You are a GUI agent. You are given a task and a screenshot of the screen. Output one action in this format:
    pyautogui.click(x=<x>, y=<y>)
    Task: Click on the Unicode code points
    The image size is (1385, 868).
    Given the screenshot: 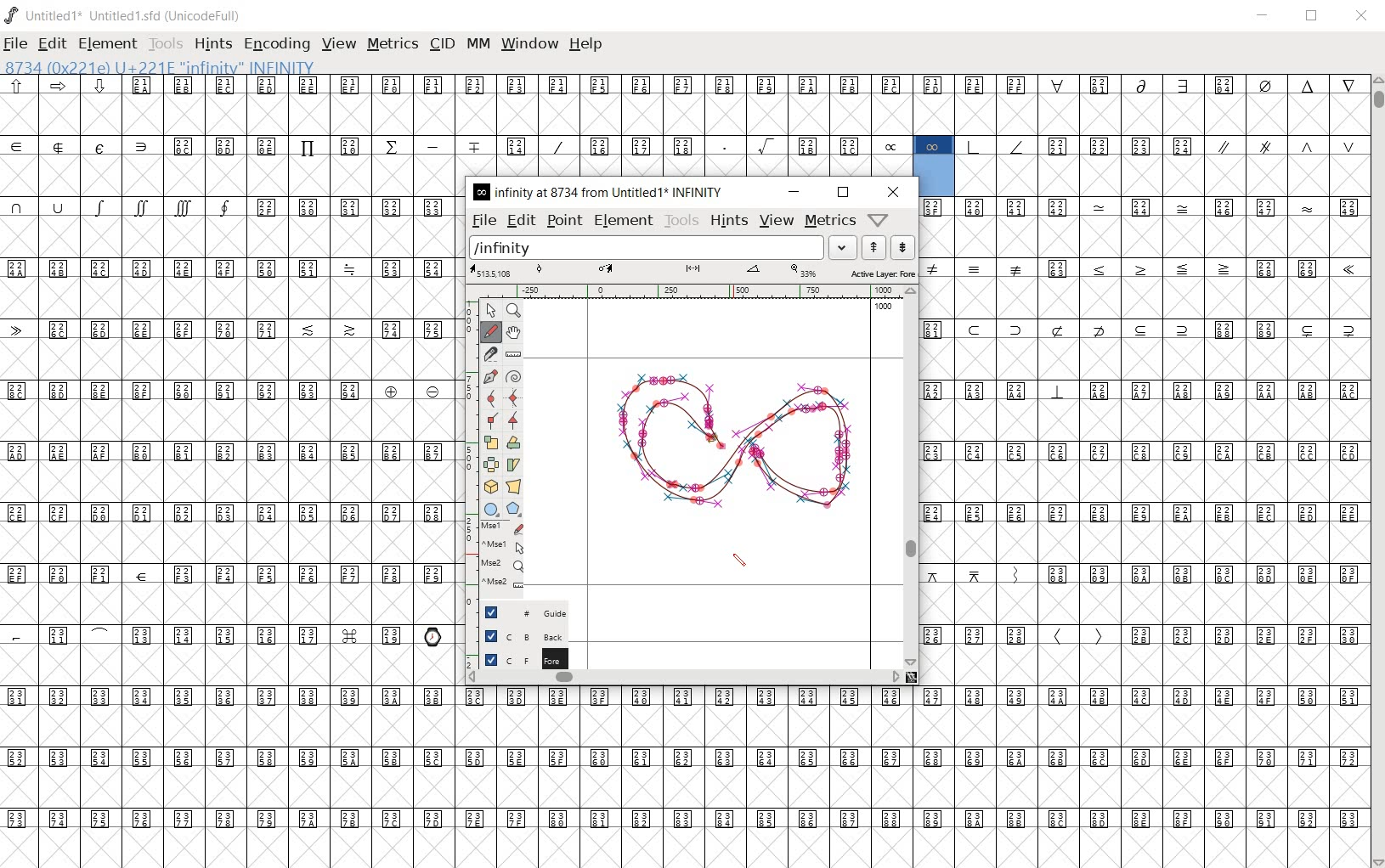 What is the action you would take?
    pyautogui.click(x=1145, y=452)
    